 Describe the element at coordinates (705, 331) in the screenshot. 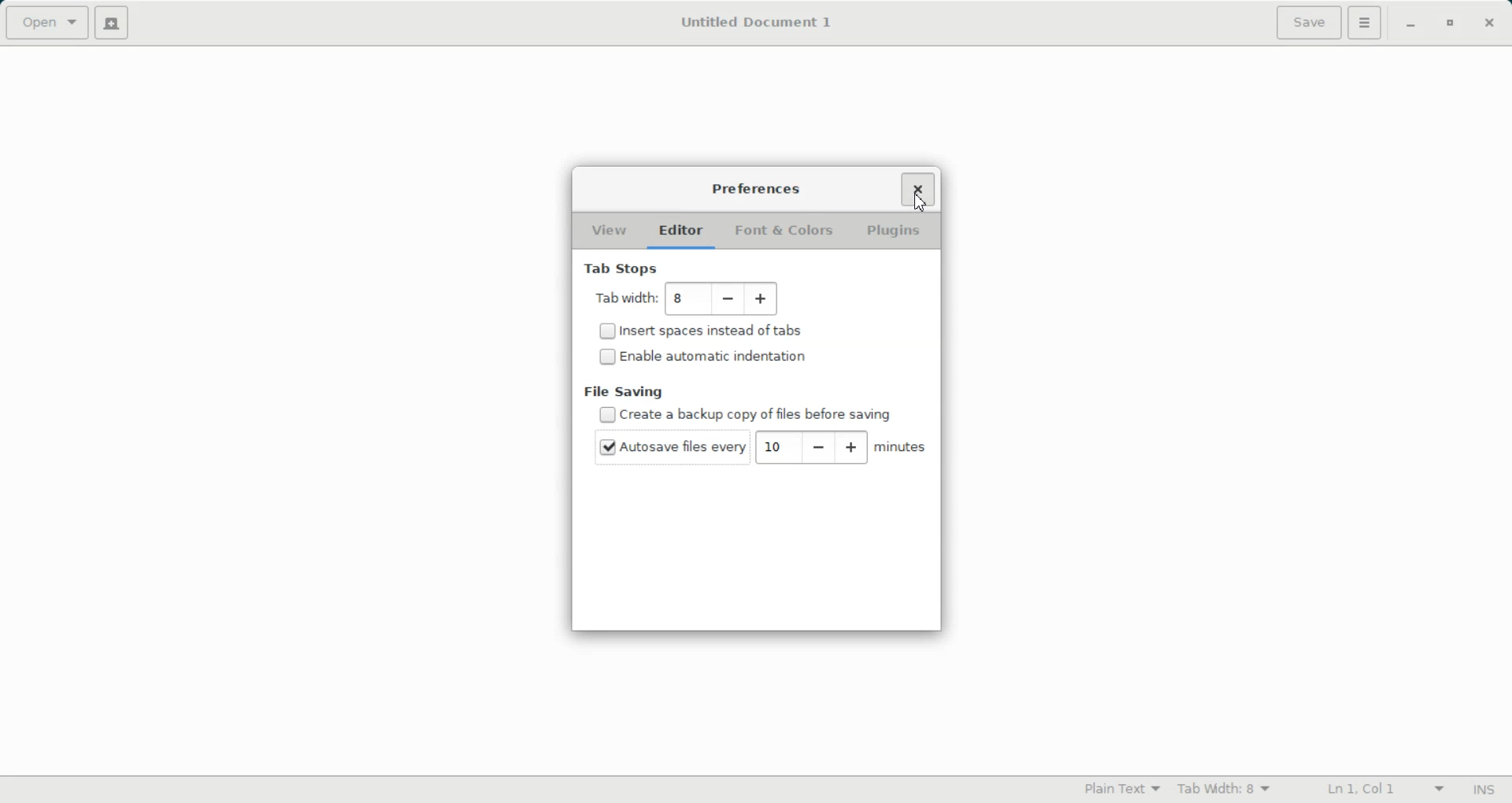

I see `(un)check Insert spaces instead of tabs` at that location.